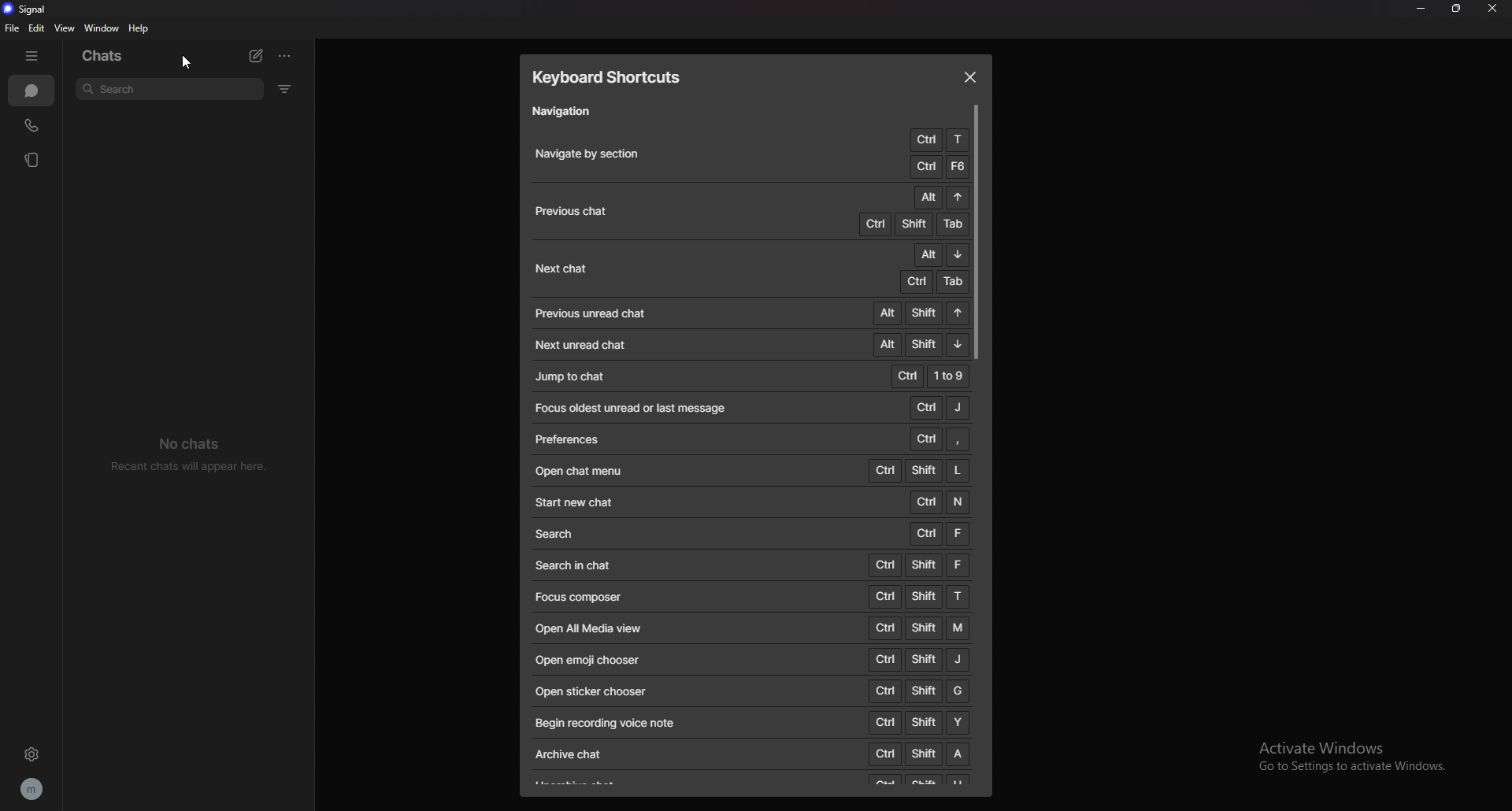 This screenshot has width=1512, height=811. Describe the element at coordinates (573, 212) in the screenshot. I see `previous chat` at that location.